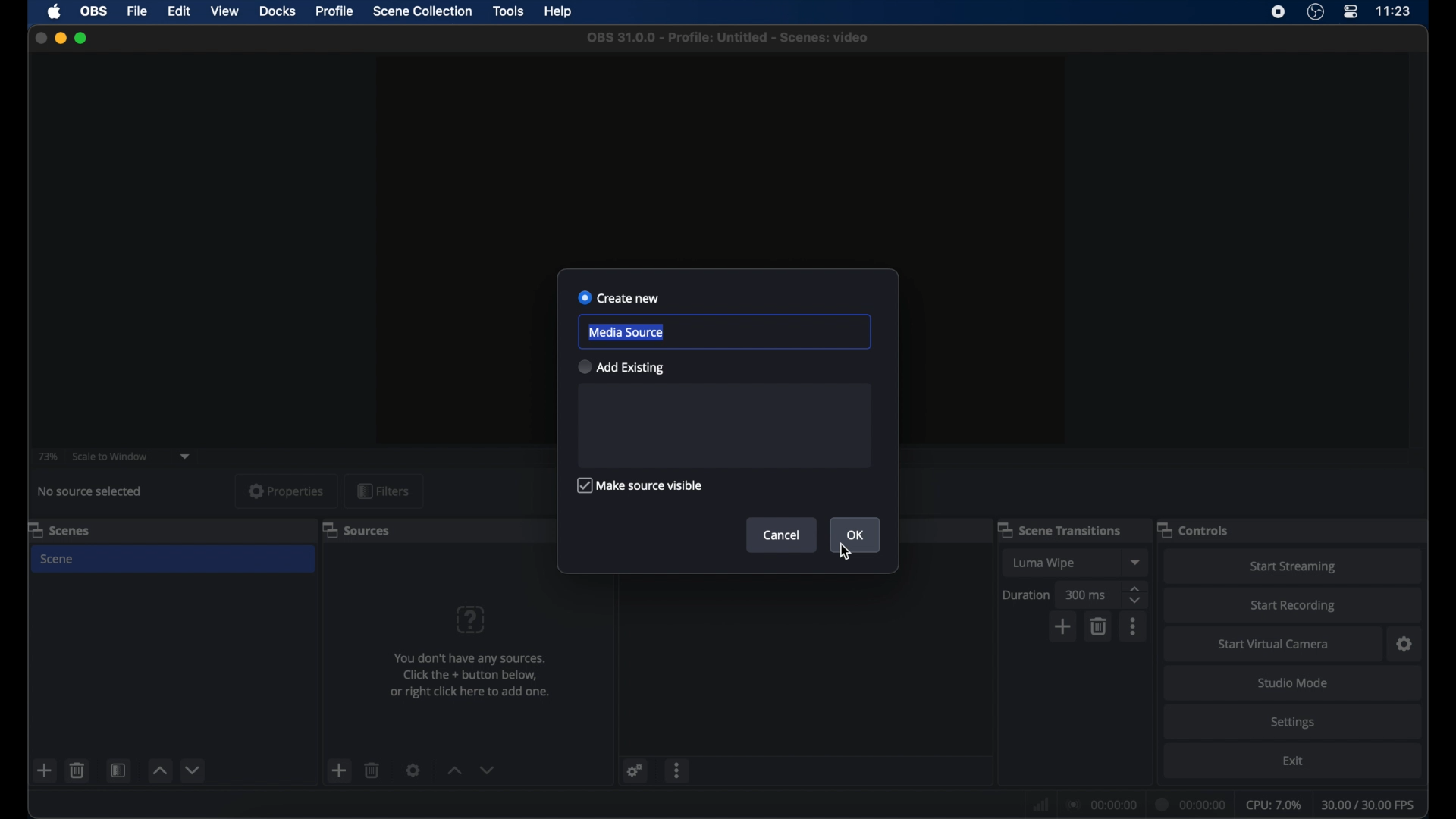 The height and width of the screenshot is (819, 1456). I want to click on delete, so click(372, 770).